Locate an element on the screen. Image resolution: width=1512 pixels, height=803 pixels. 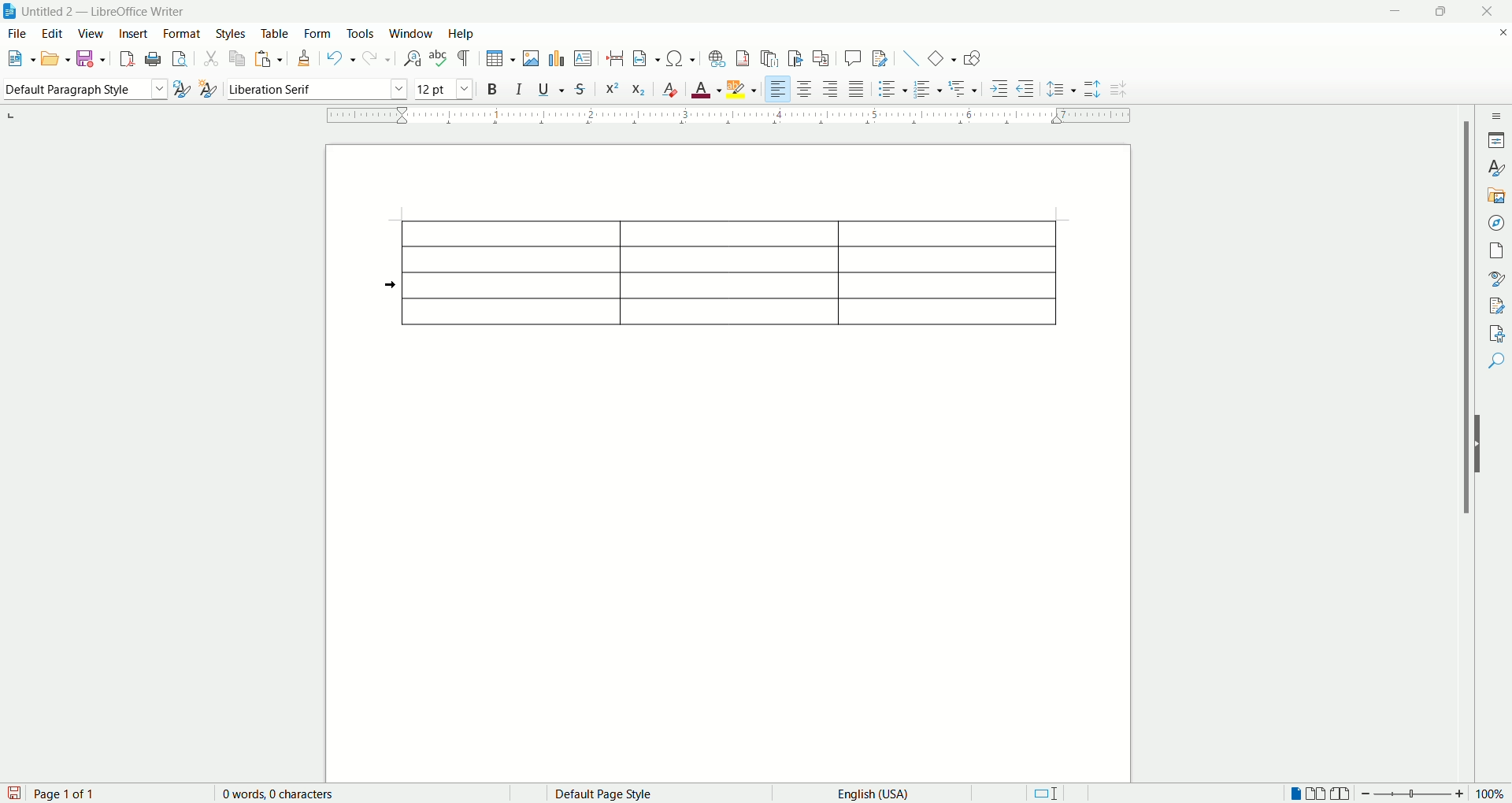
insert bookmark is located at coordinates (795, 59).